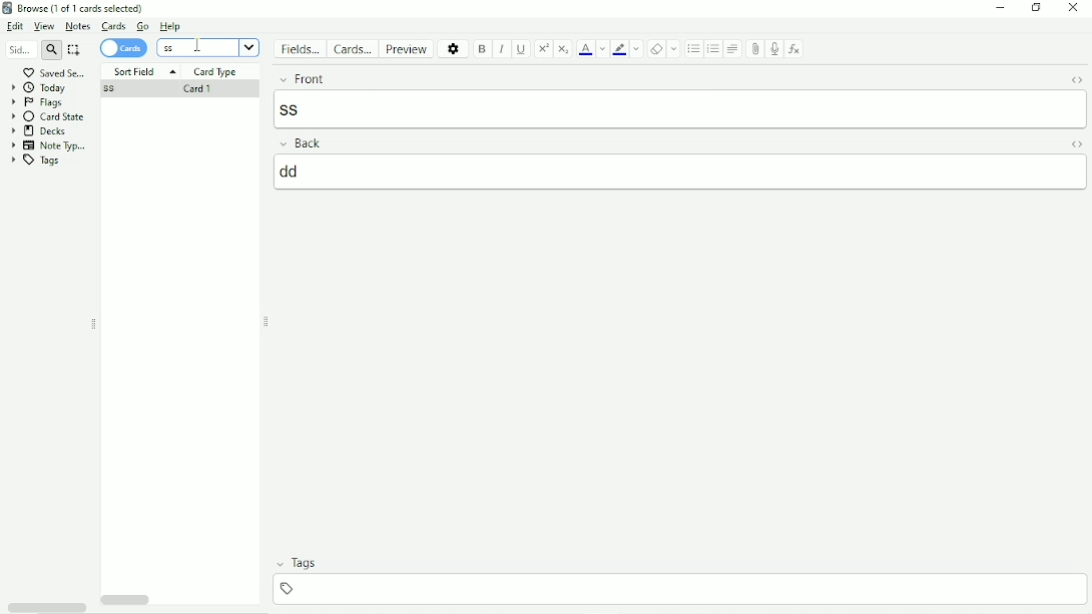 The width and height of the screenshot is (1092, 614). What do you see at coordinates (684, 587) in the screenshot?
I see `add tag` at bounding box center [684, 587].